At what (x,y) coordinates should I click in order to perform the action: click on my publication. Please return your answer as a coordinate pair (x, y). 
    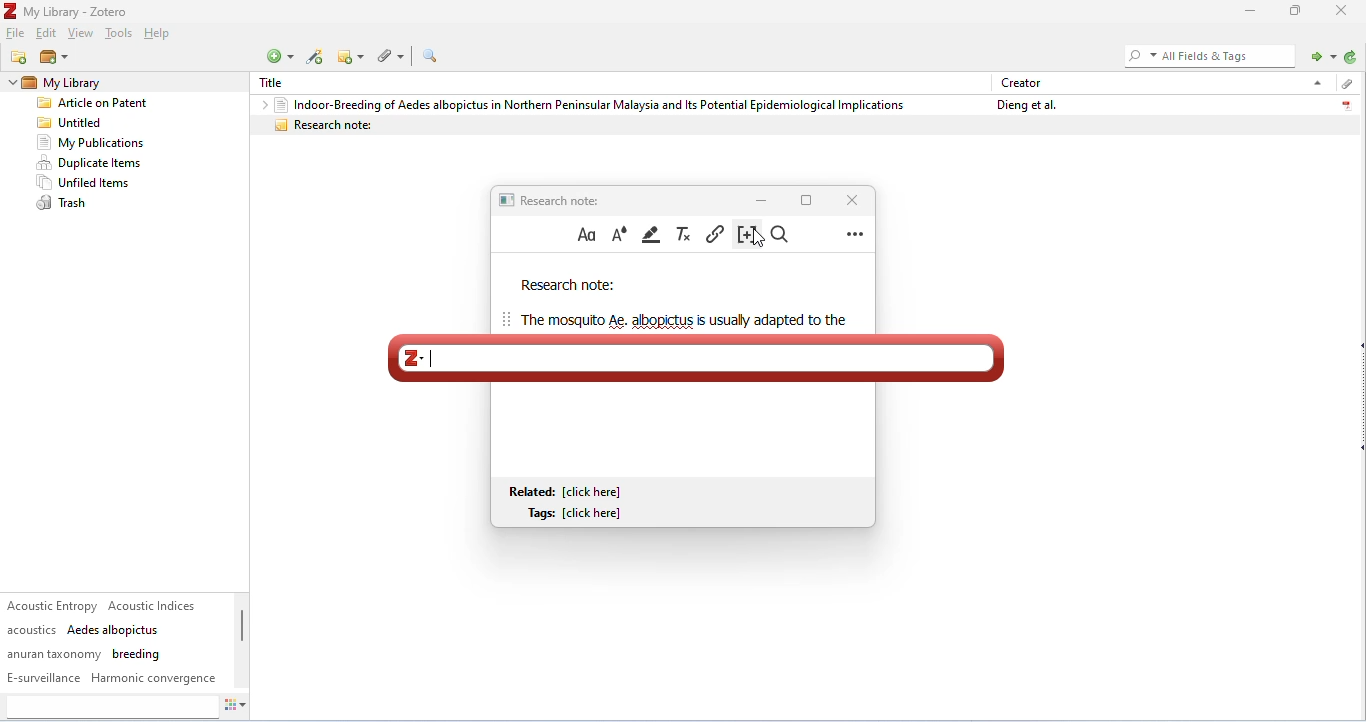
    Looking at the image, I should click on (90, 143).